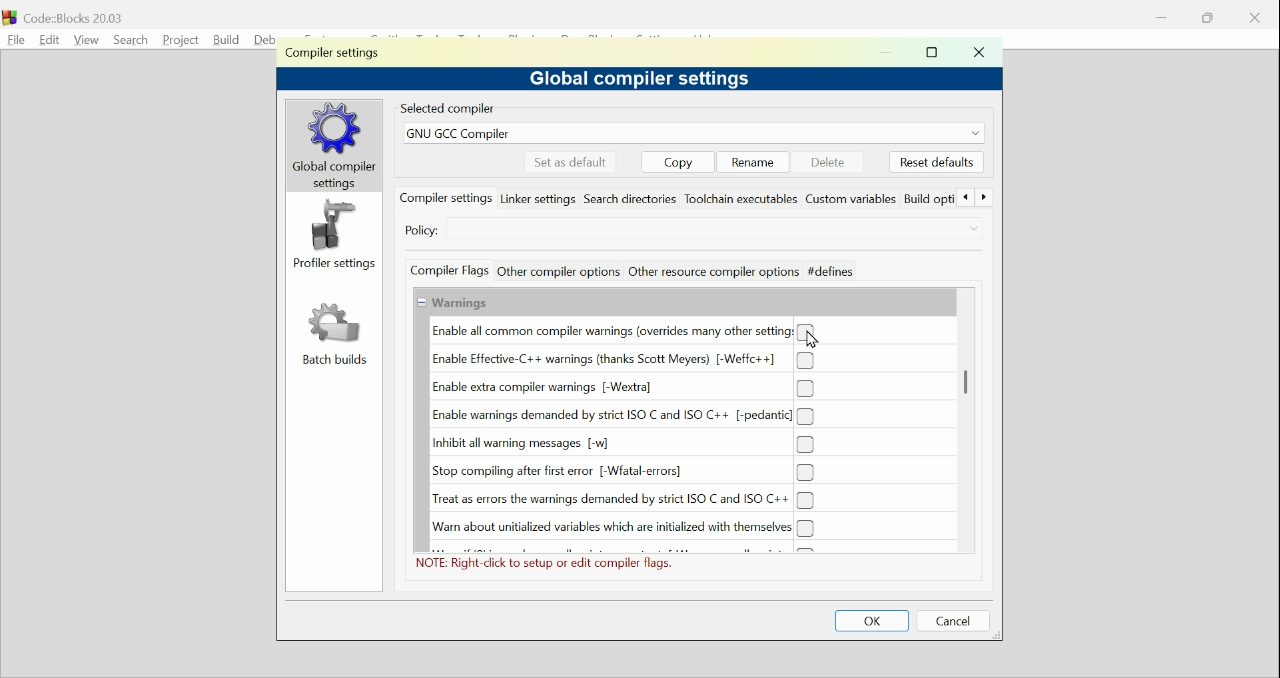 The image size is (1280, 678). I want to click on Select Compiler settings, so click(690, 233).